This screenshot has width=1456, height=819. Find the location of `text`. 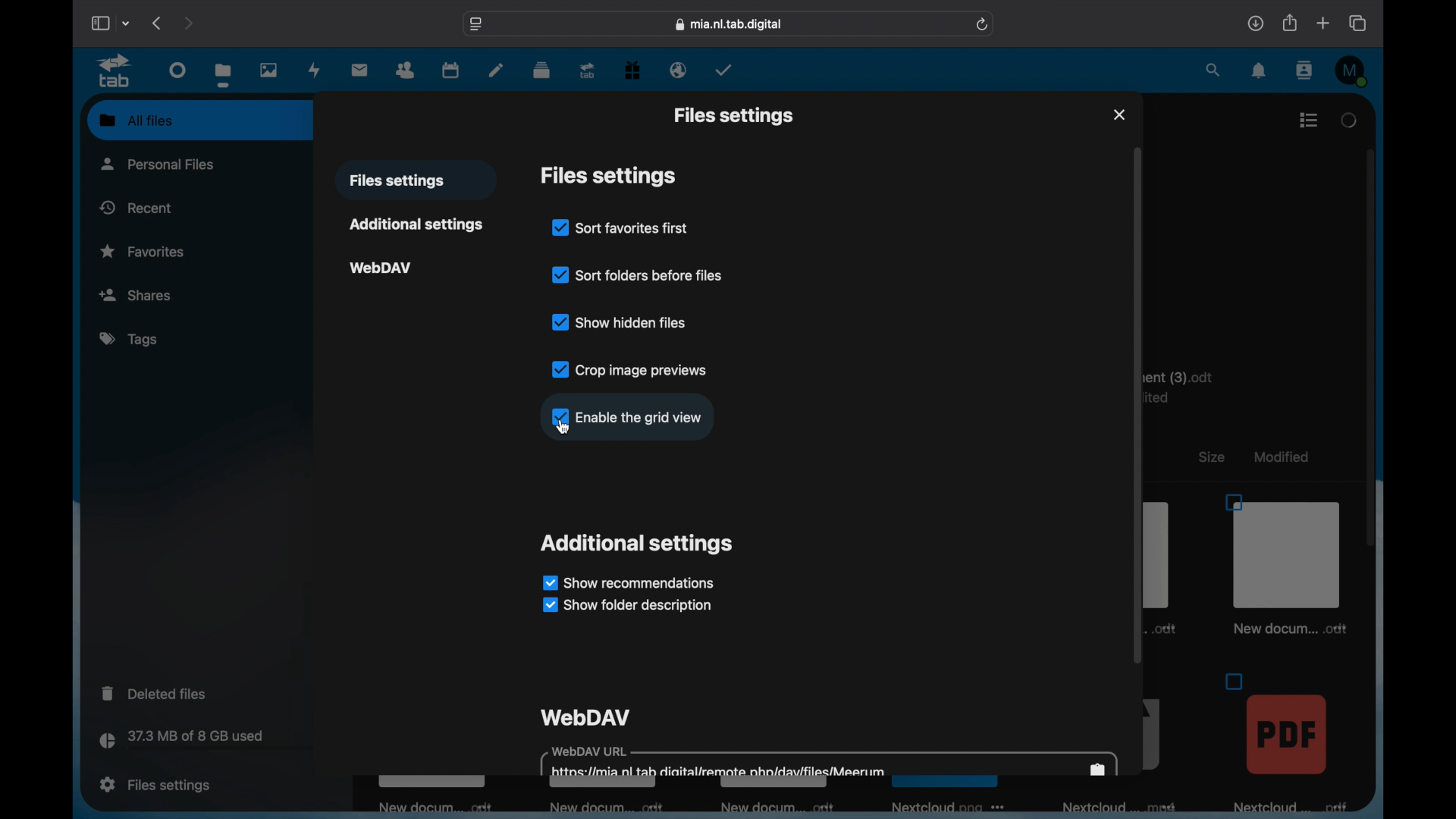

text is located at coordinates (1188, 386).